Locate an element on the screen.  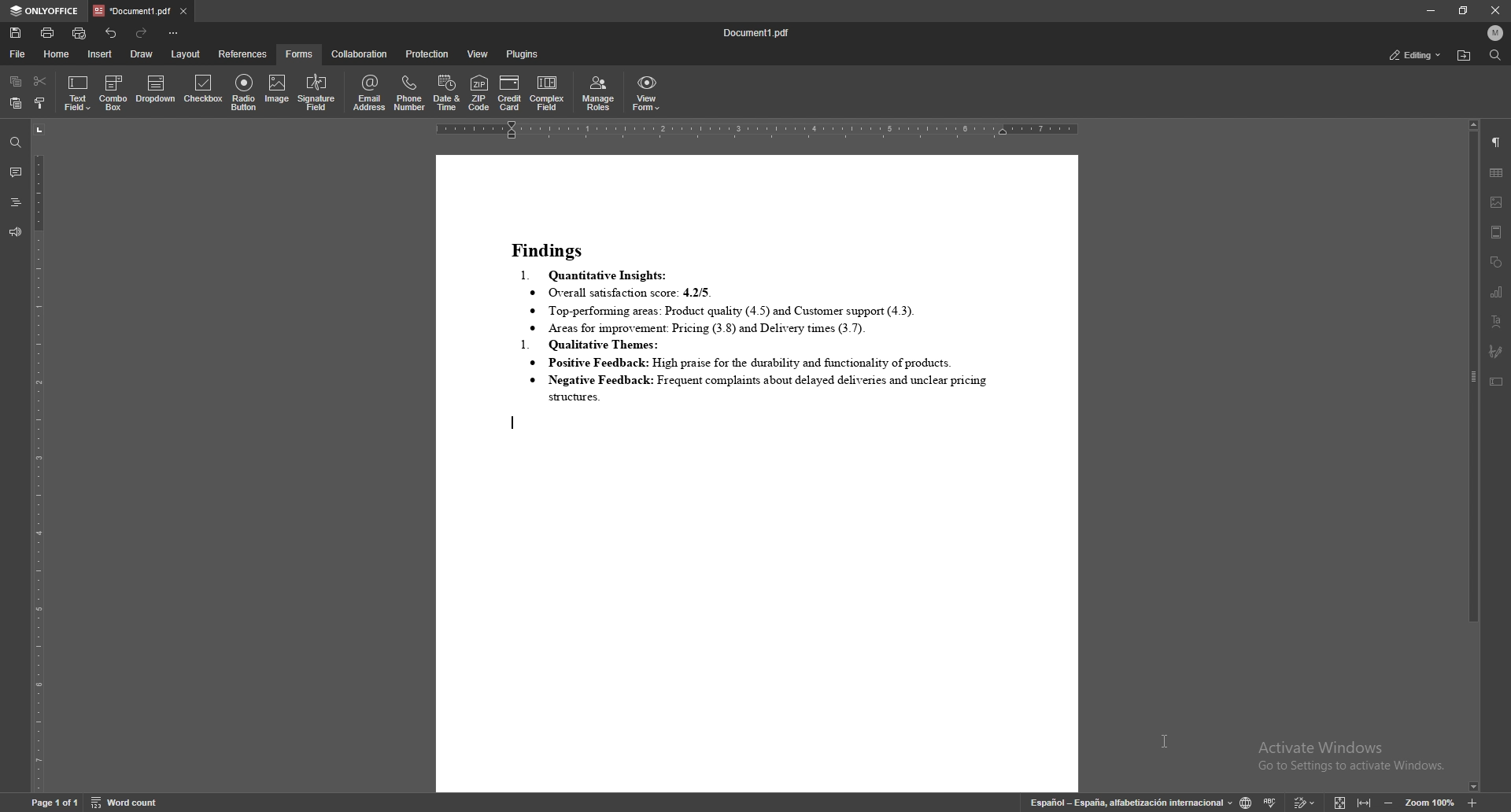
decrease zoom is located at coordinates (1387, 802).